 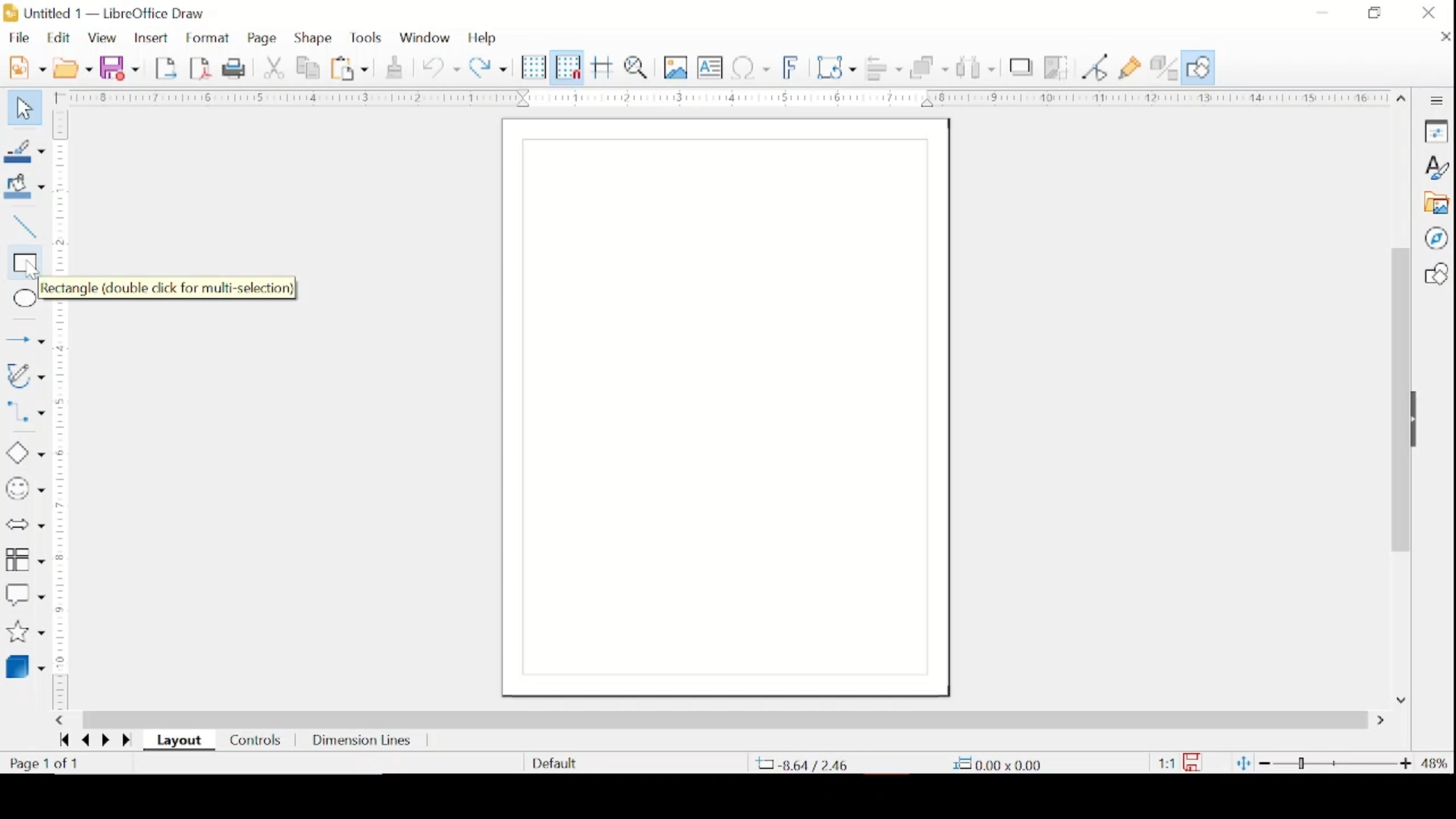 I want to click on select at least three objects to distribute, so click(x=977, y=67).